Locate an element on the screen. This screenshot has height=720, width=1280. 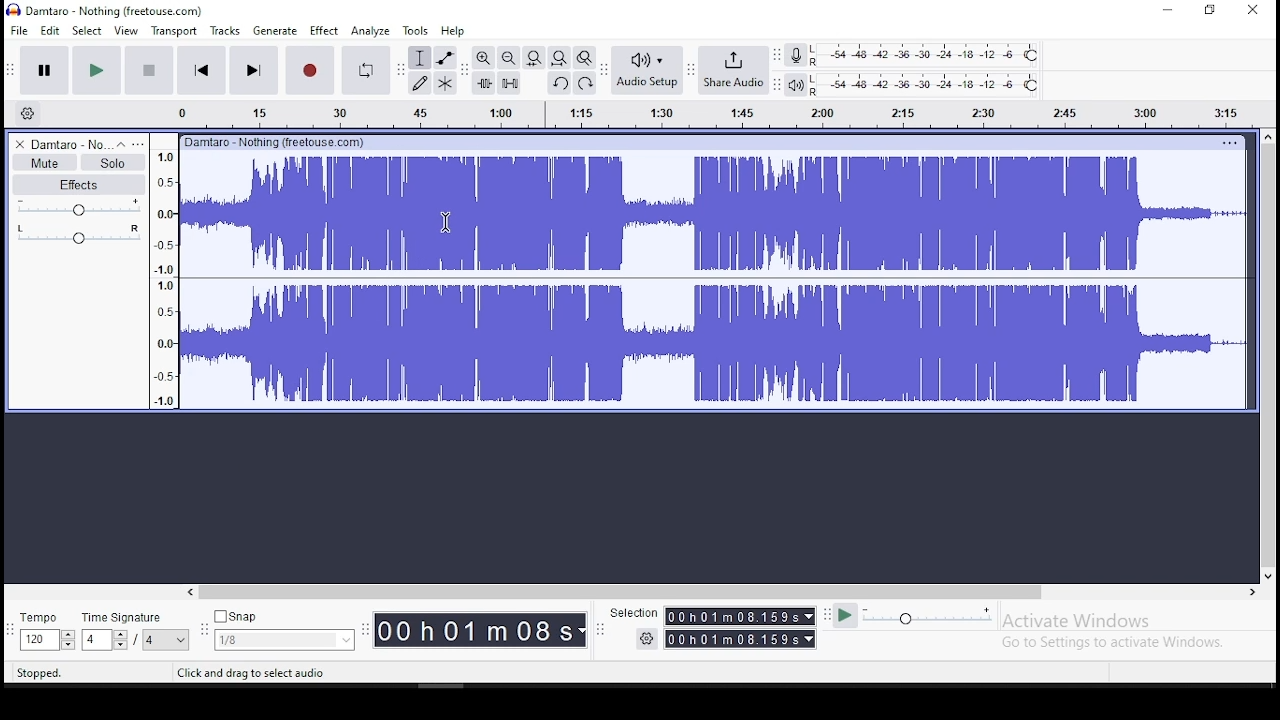
transport is located at coordinates (172, 31).